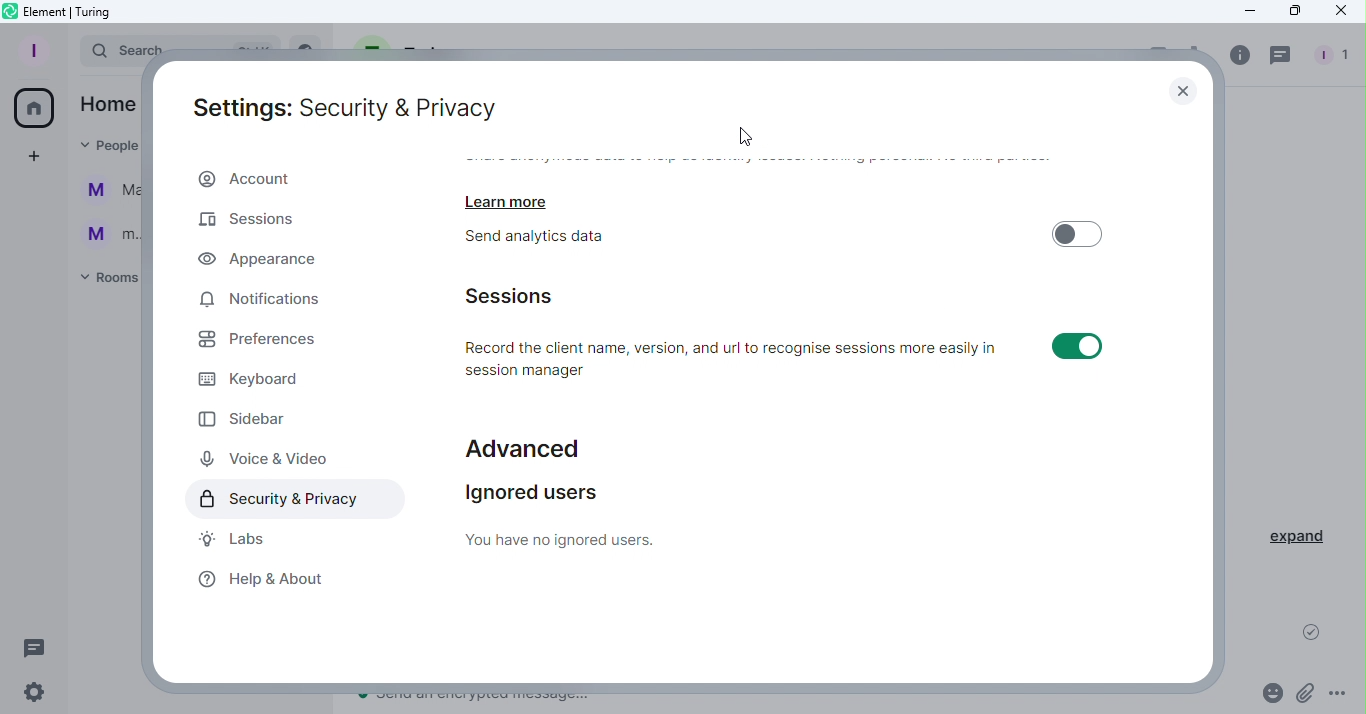 This screenshot has height=714, width=1366. What do you see at coordinates (524, 442) in the screenshot?
I see `Advanced` at bounding box center [524, 442].